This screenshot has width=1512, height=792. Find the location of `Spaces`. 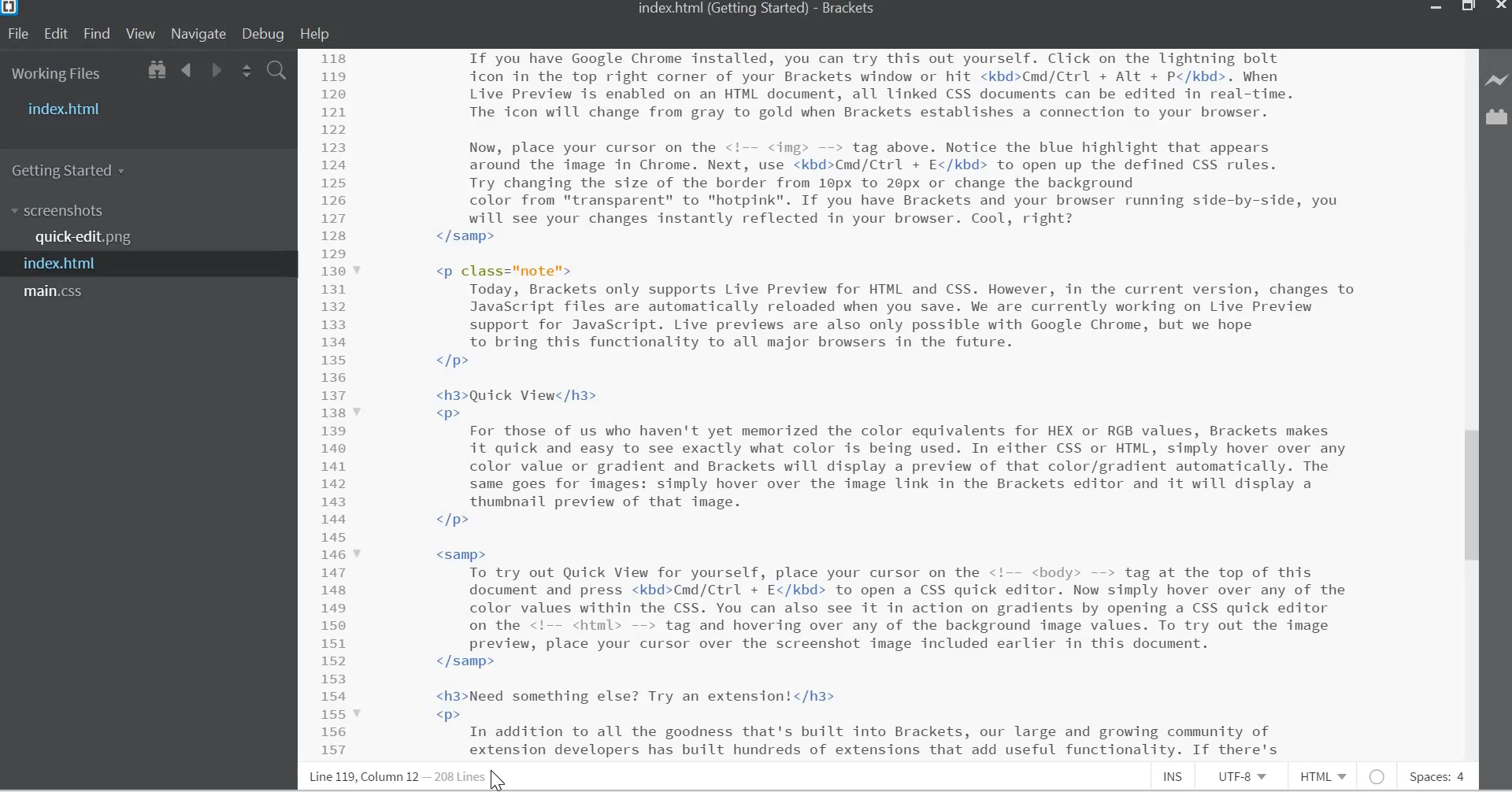

Spaces is located at coordinates (1434, 777).